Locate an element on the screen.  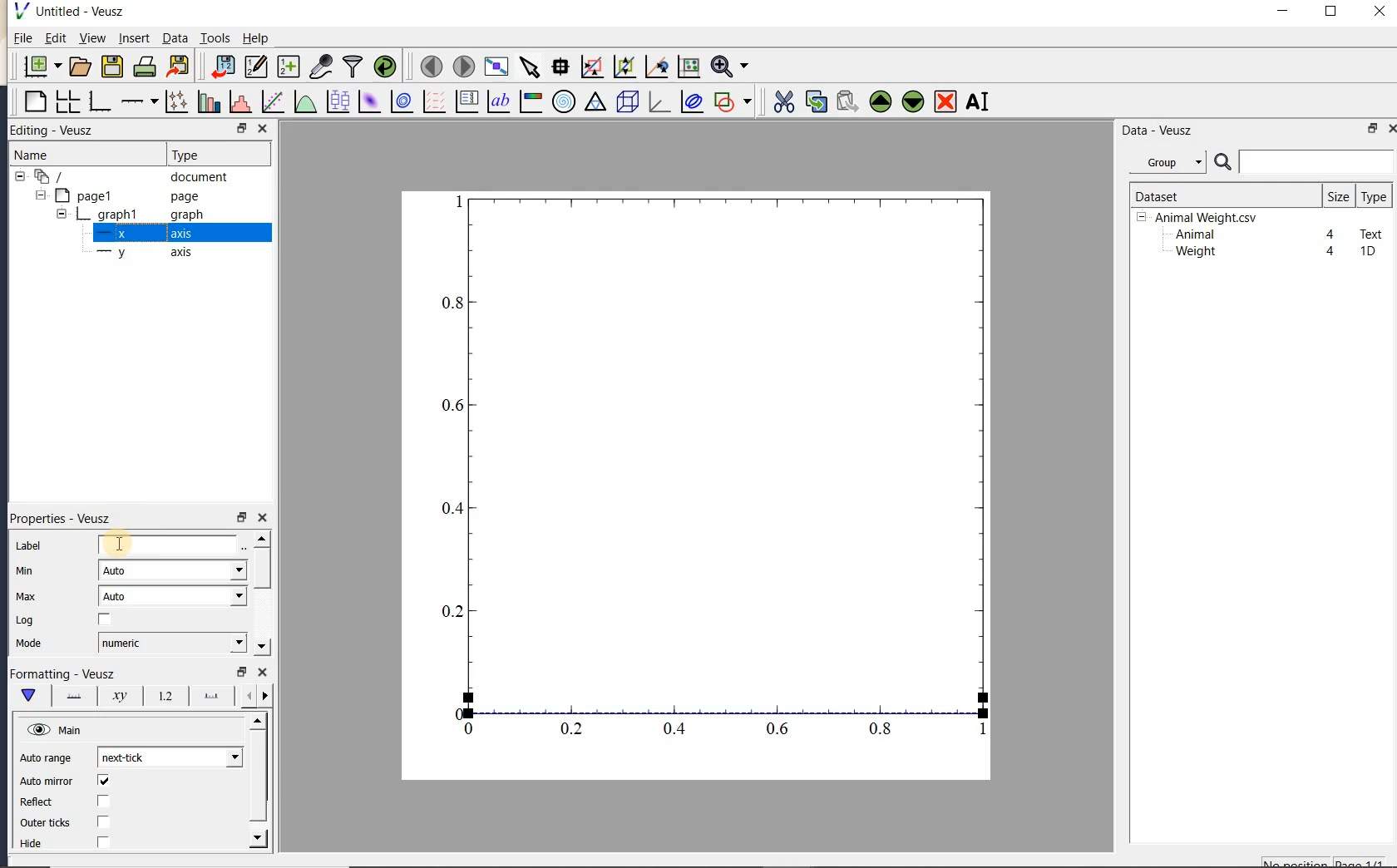
check/uncheck is located at coordinates (103, 781).